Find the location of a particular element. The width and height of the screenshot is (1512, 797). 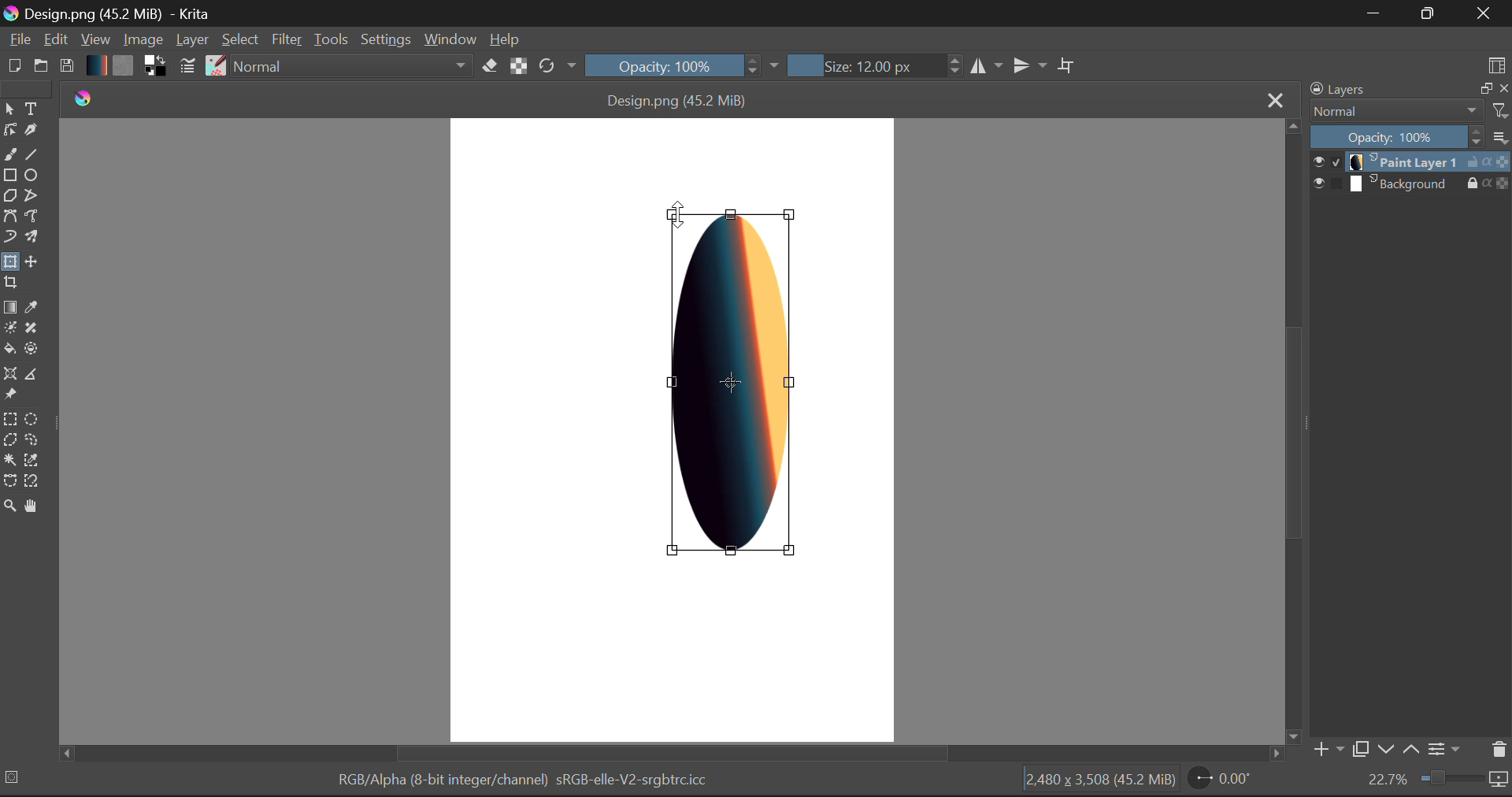

Colors in use is located at coordinates (155, 67).